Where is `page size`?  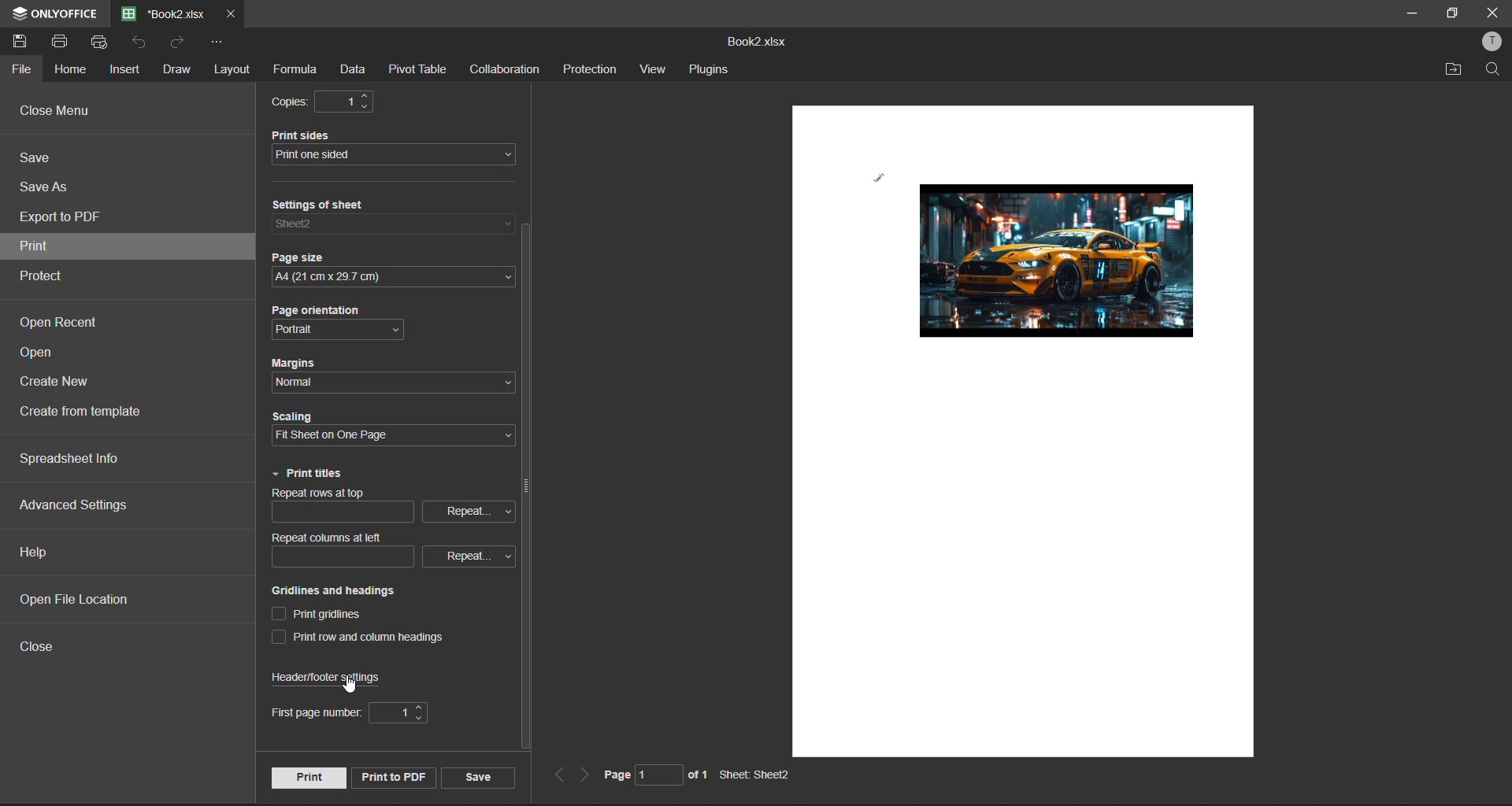
page size is located at coordinates (385, 266).